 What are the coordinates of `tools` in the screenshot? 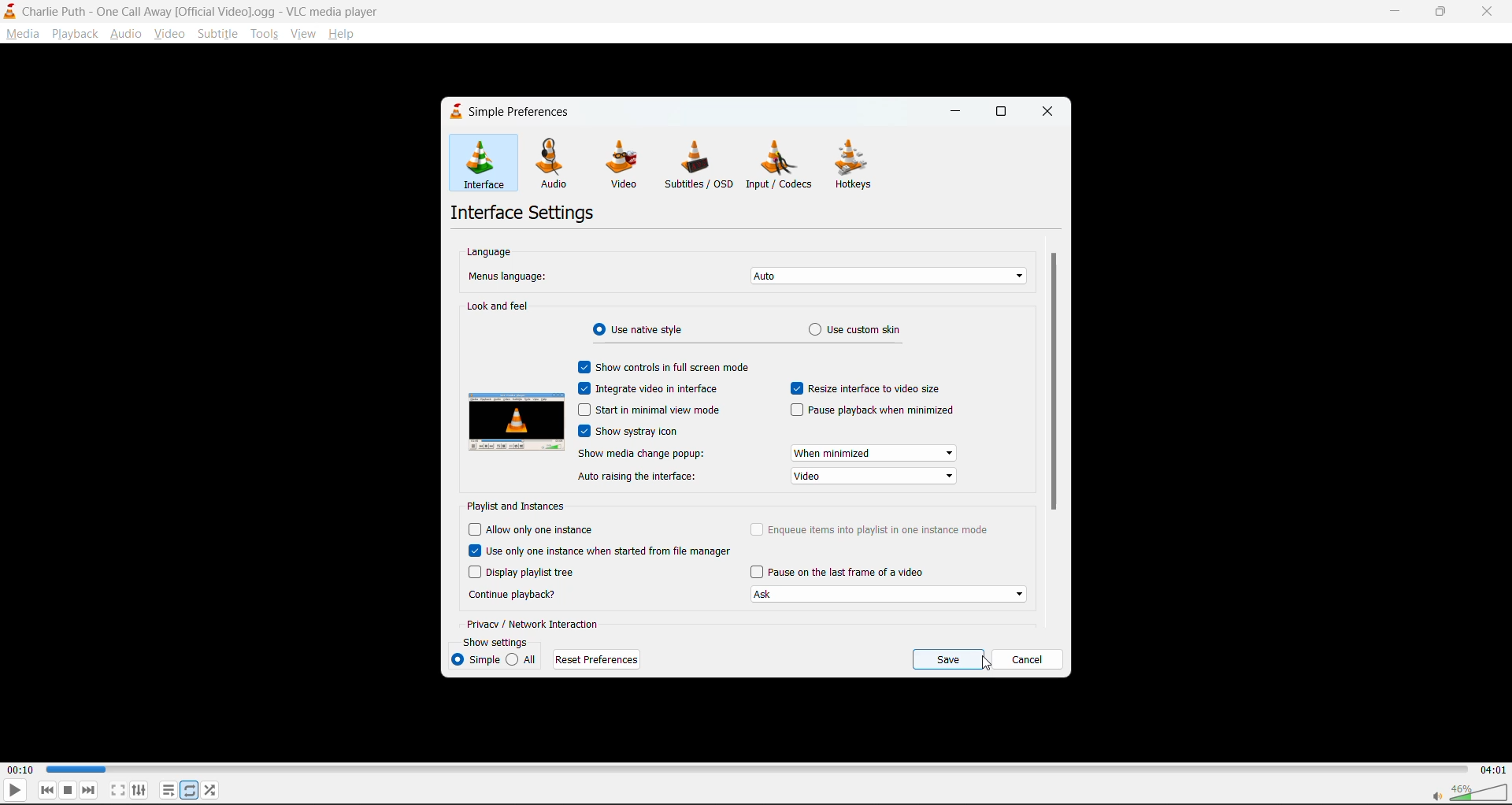 It's located at (265, 33).